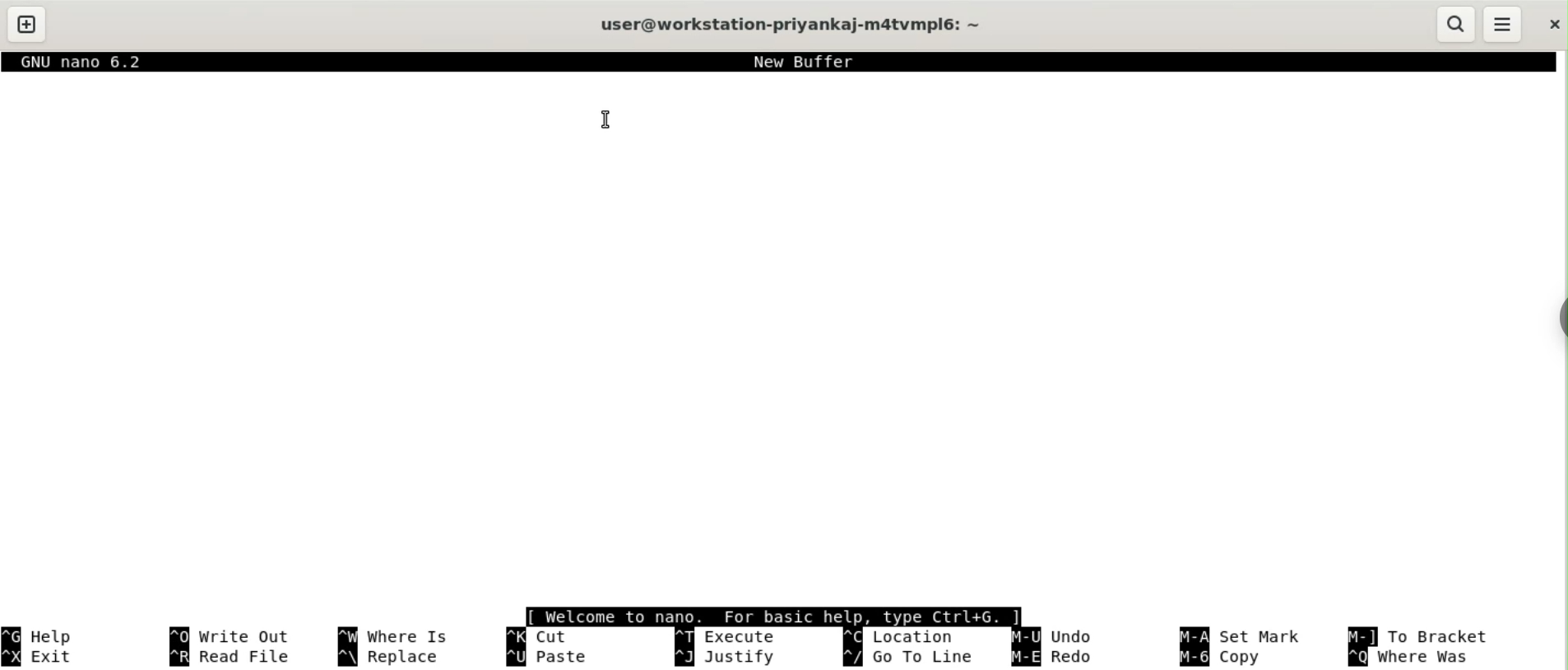 The width and height of the screenshot is (1568, 670). Describe the element at coordinates (900, 636) in the screenshot. I see `location` at that location.